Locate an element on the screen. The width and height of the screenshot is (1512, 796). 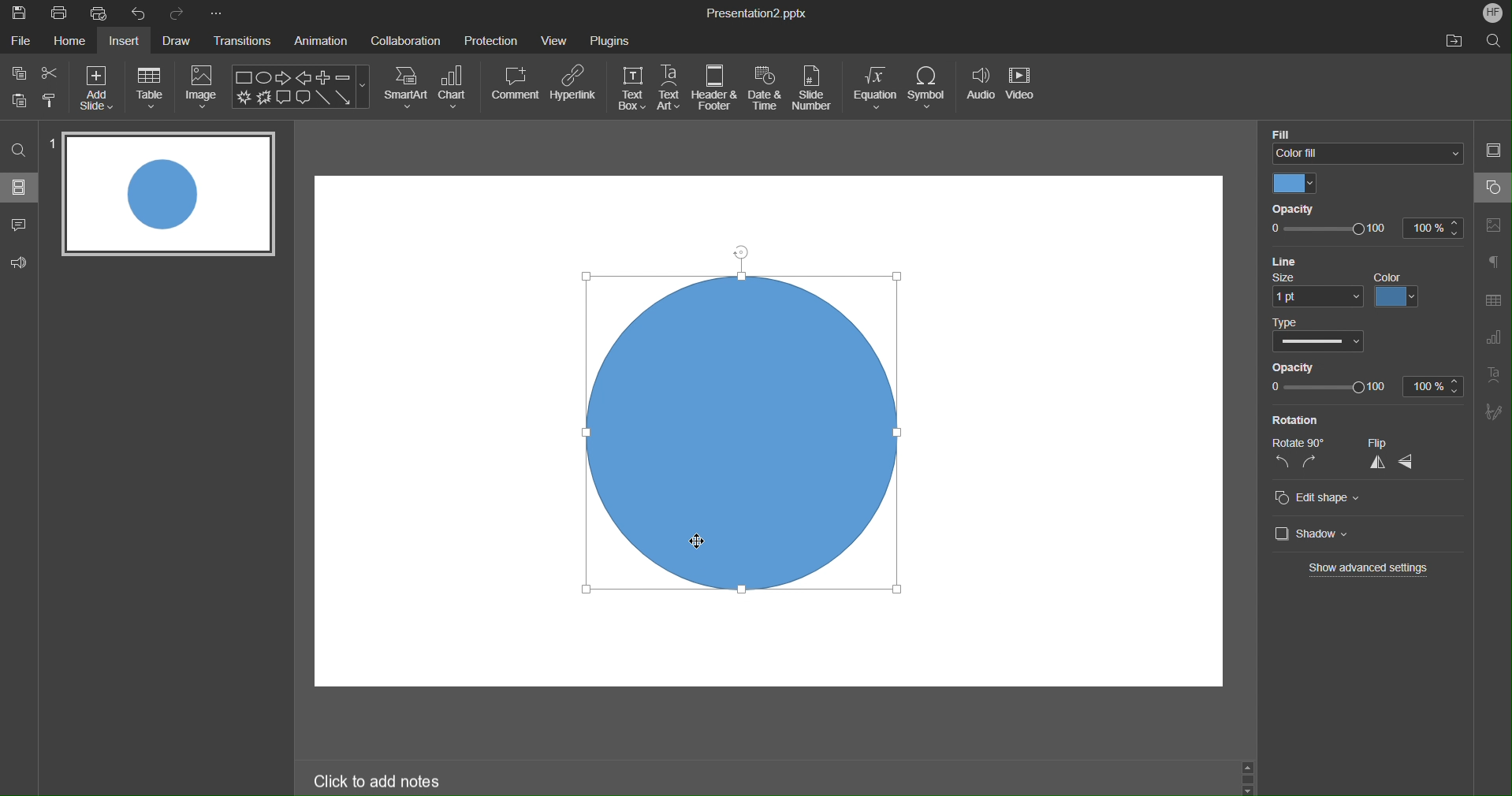
Transitions is located at coordinates (244, 43).